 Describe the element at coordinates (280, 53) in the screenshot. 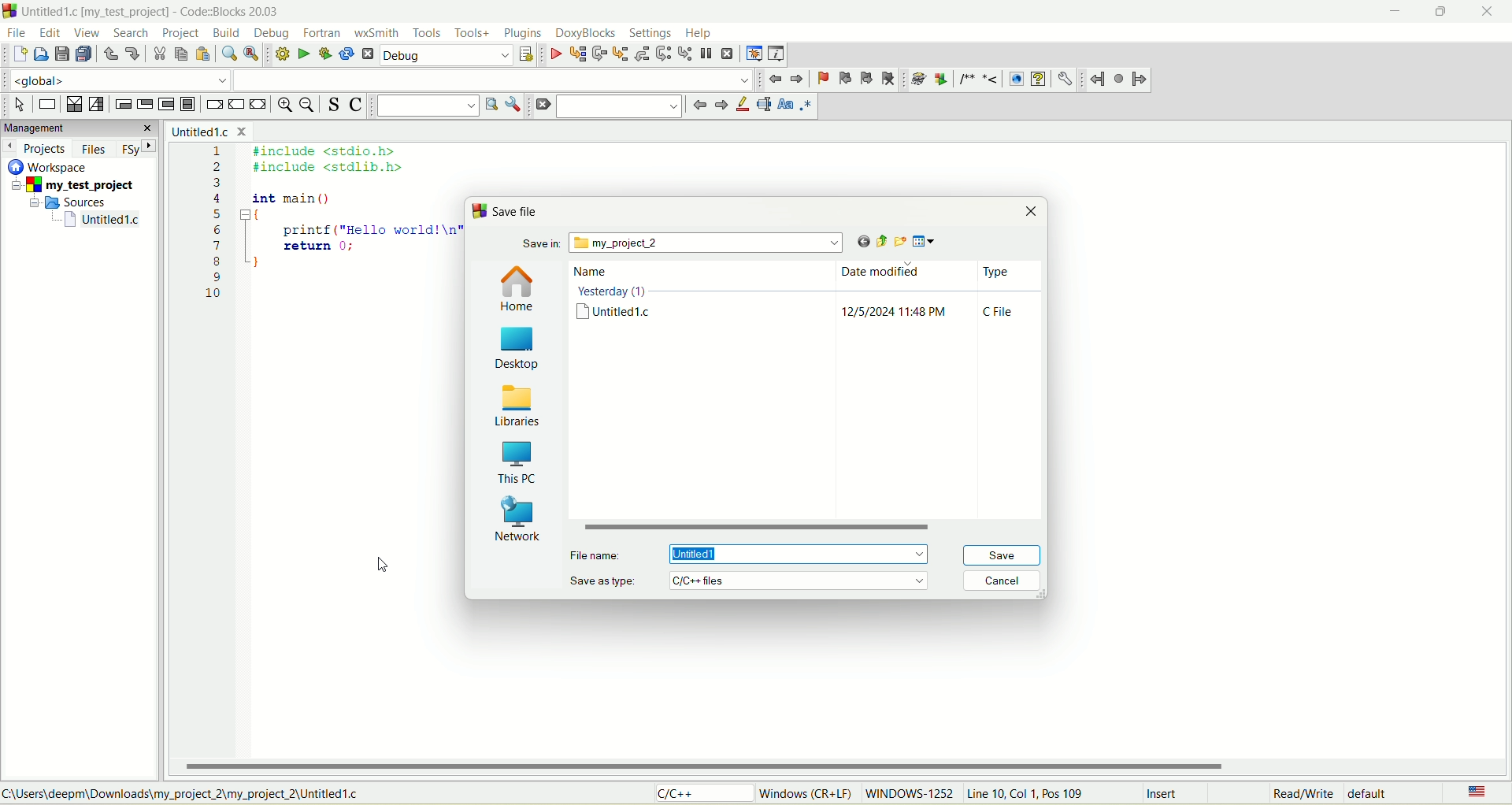

I see `build` at that location.